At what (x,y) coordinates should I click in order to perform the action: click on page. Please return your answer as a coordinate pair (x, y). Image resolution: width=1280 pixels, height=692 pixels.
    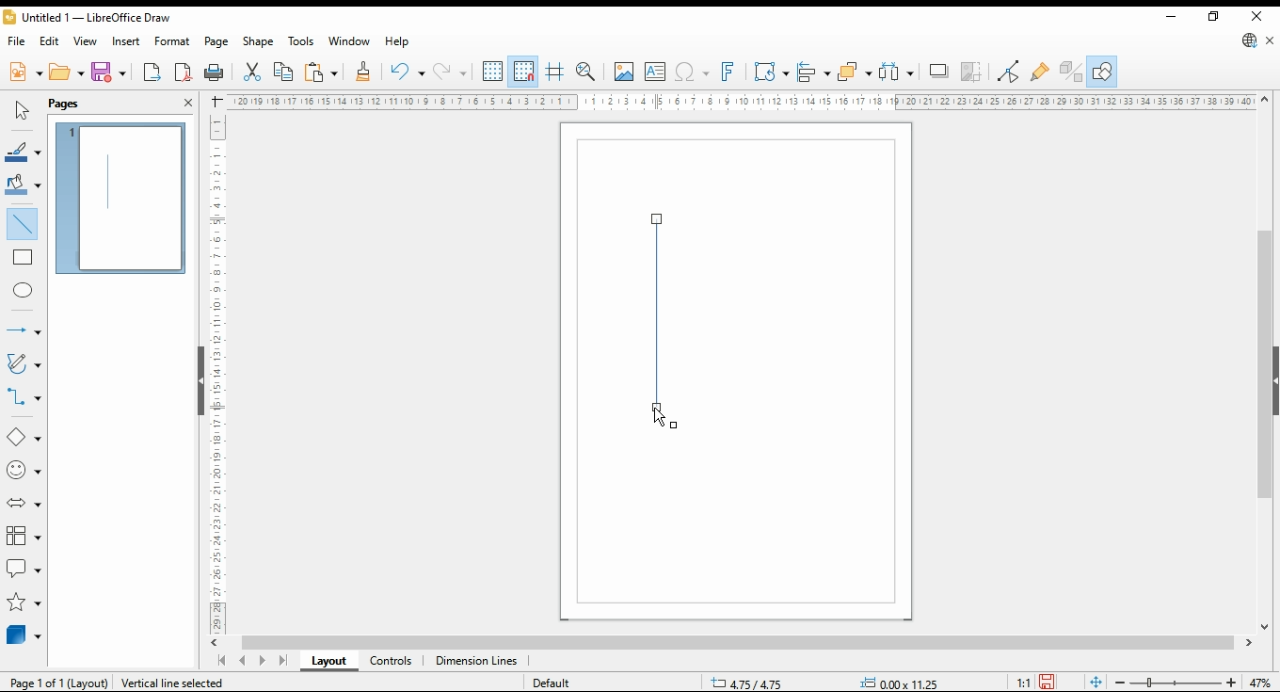
    Looking at the image, I should click on (218, 42).